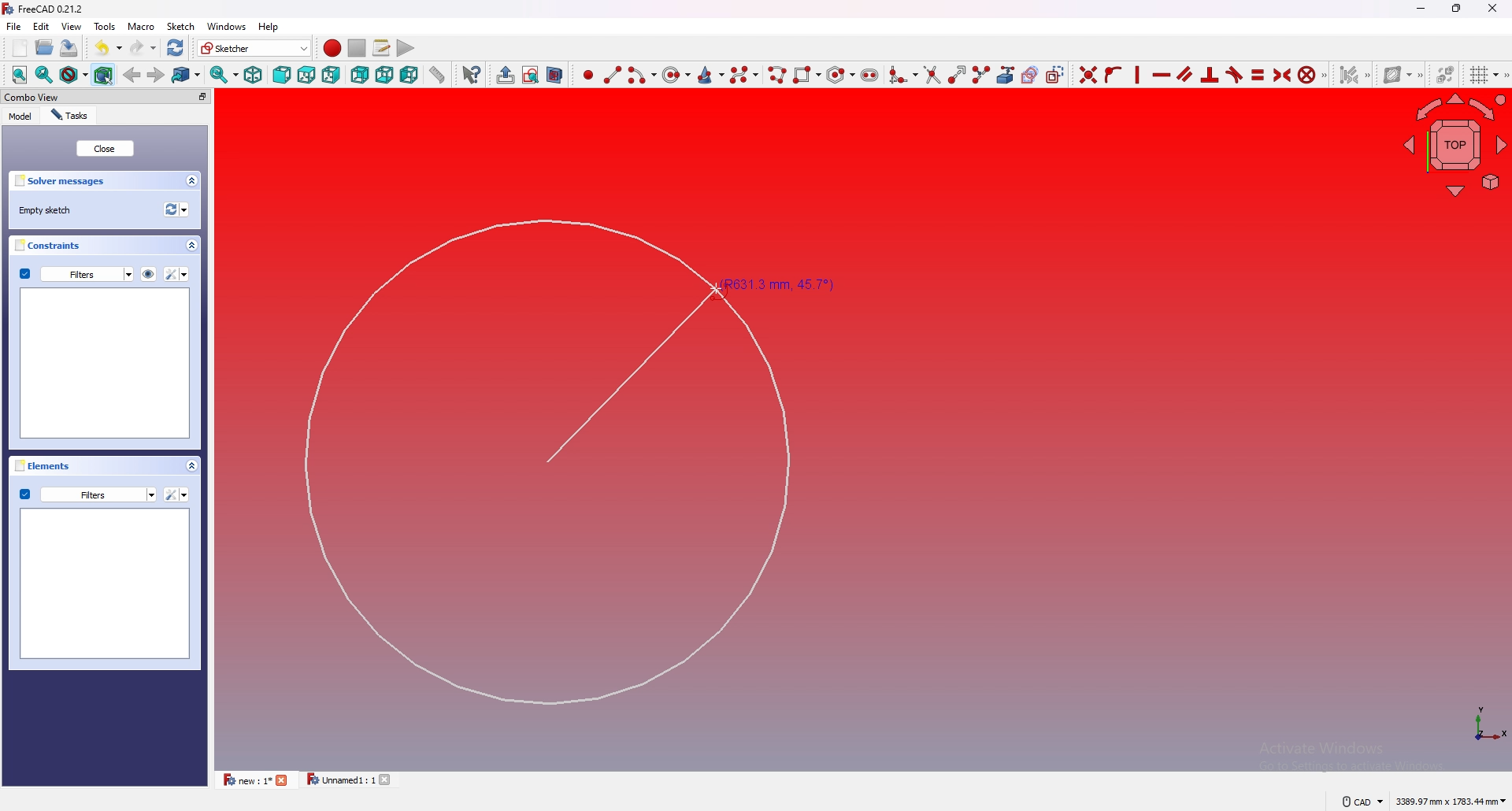  Describe the element at coordinates (191, 465) in the screenshot. I see `collapse` at that location.